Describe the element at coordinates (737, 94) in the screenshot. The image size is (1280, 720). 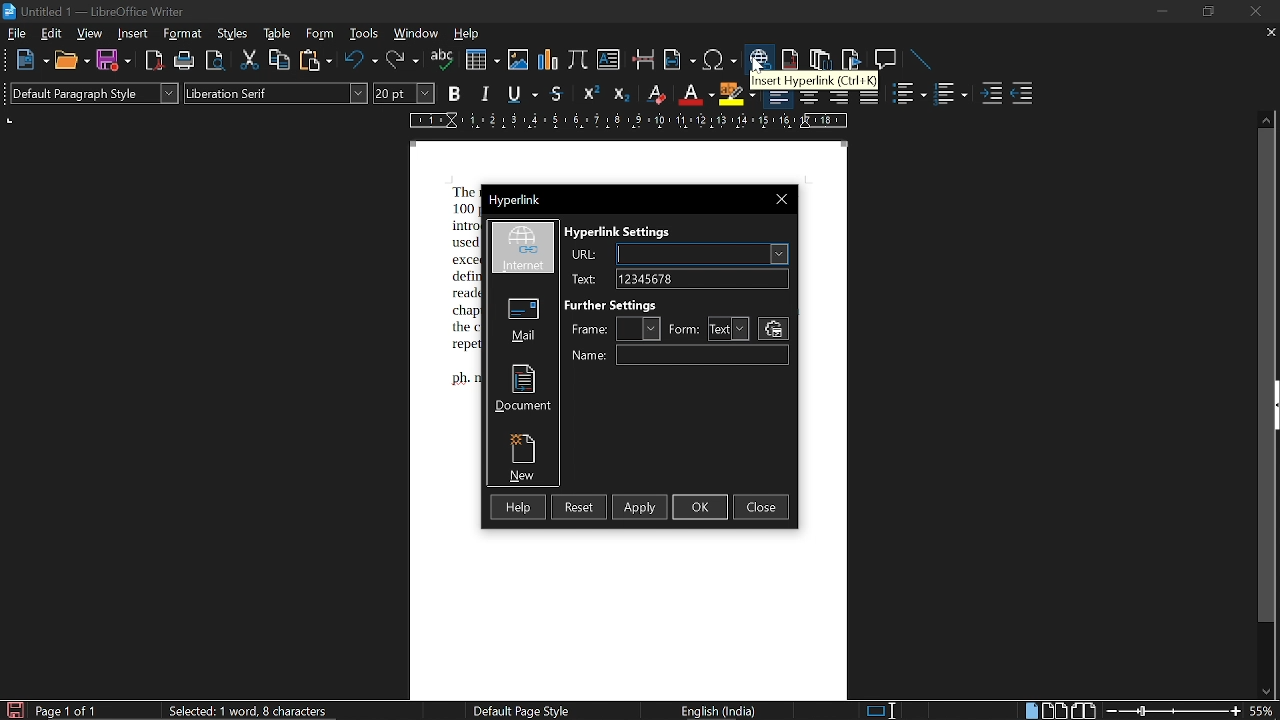
I see `highlight` at that location.